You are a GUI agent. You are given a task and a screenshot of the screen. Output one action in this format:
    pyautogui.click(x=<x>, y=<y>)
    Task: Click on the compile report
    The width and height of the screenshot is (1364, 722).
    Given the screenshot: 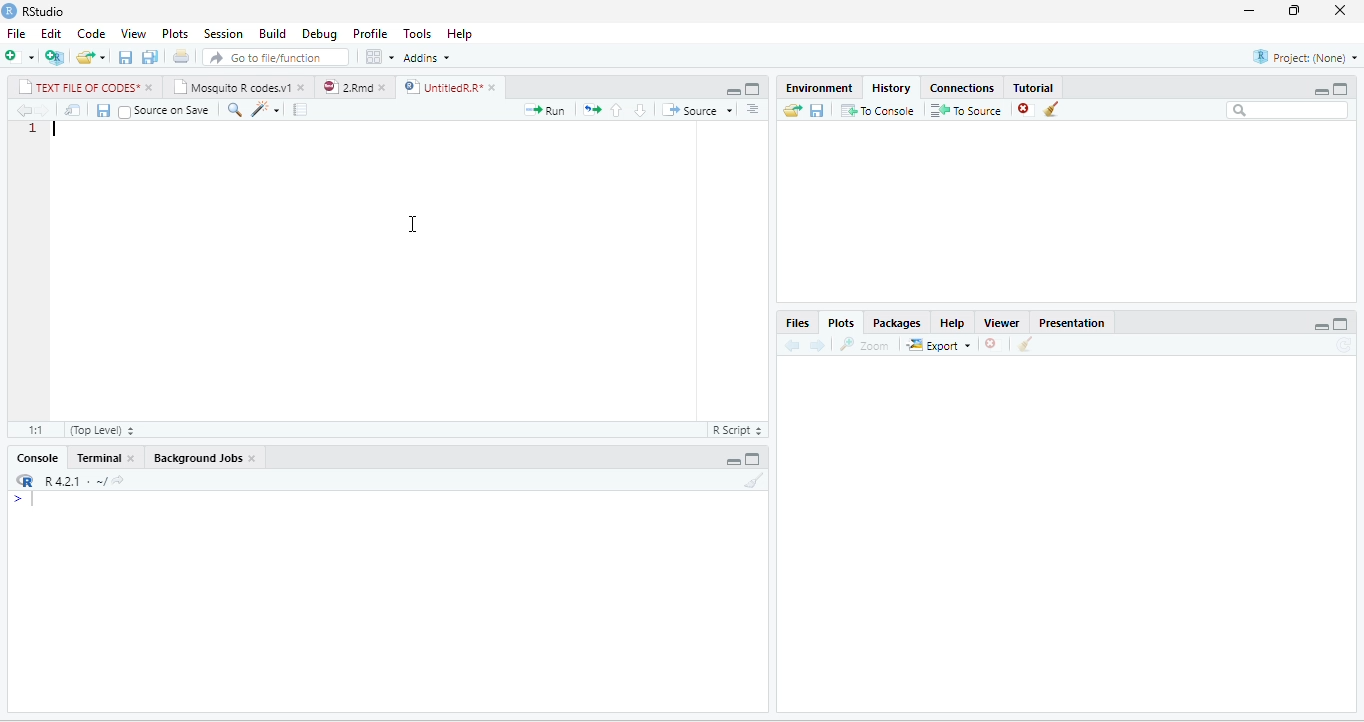 What is the action you would take?
    pyautogui.click(x=300, y=109)
    